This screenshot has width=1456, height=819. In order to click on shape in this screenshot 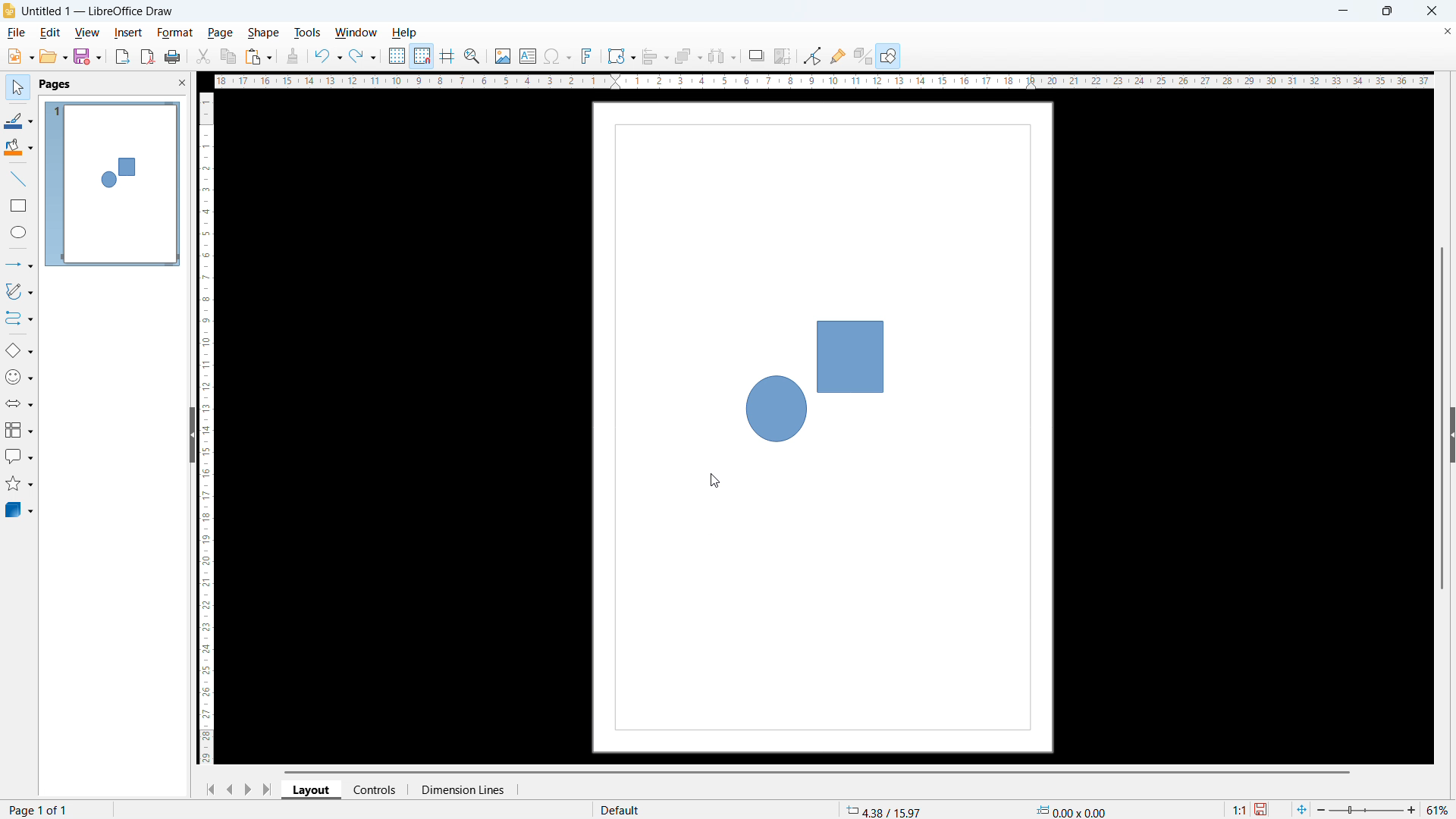, I will do `click(264, 33)`.